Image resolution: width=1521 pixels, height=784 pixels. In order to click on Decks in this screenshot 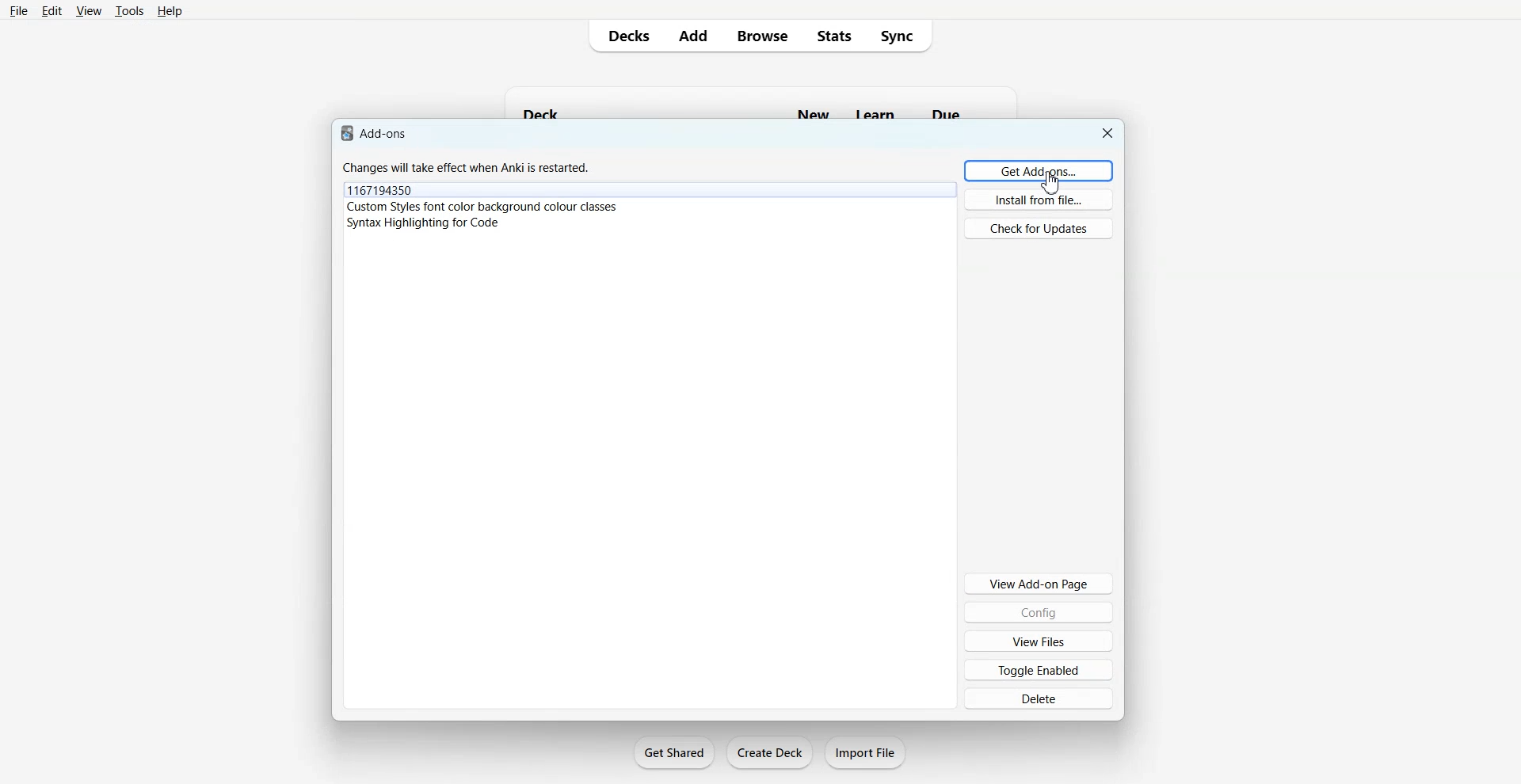, I will do `click(622, 36)`.